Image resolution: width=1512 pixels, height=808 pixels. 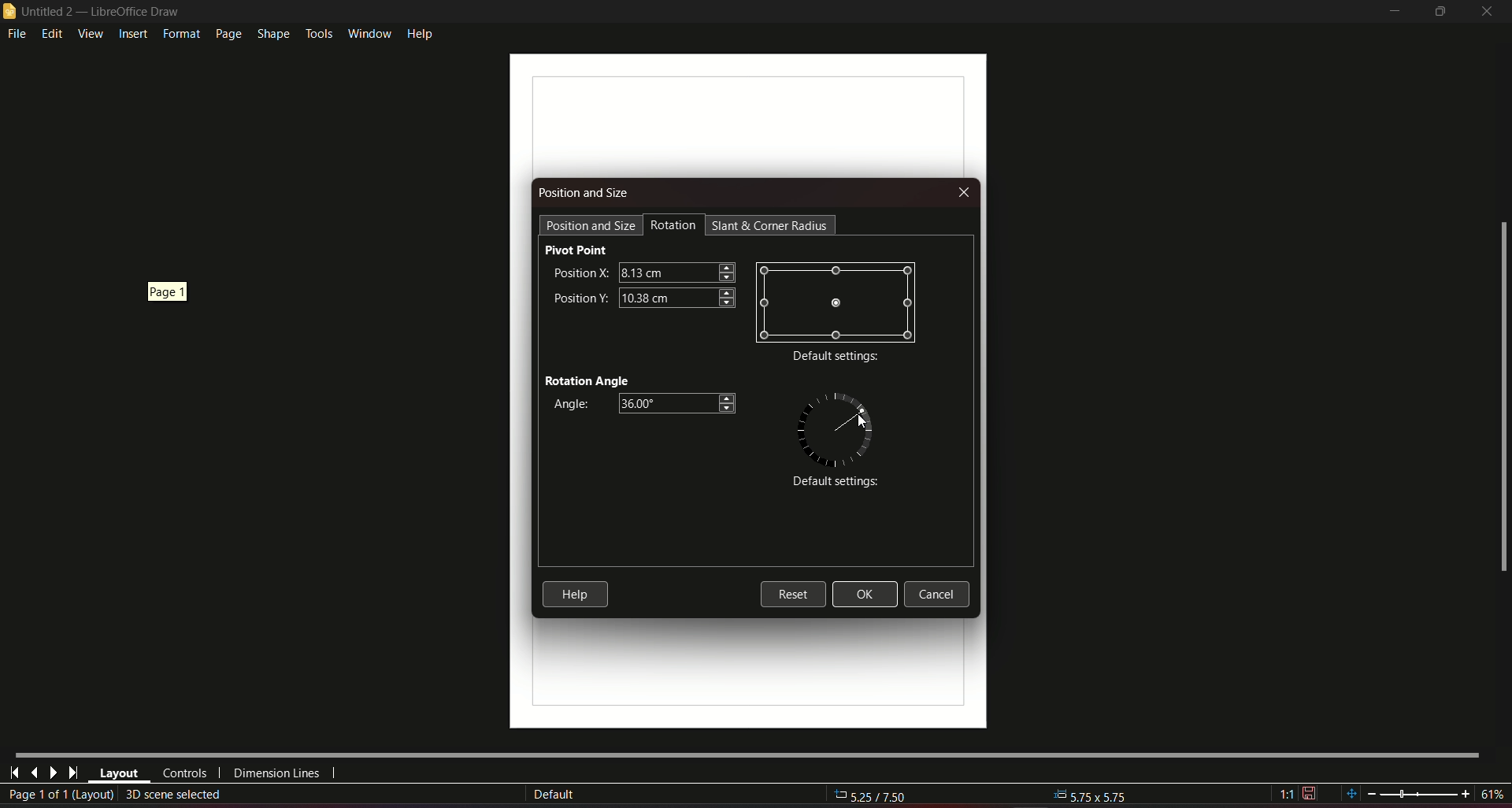 I want to click on Horizontal scroll bar, so click(x=746, y=753).